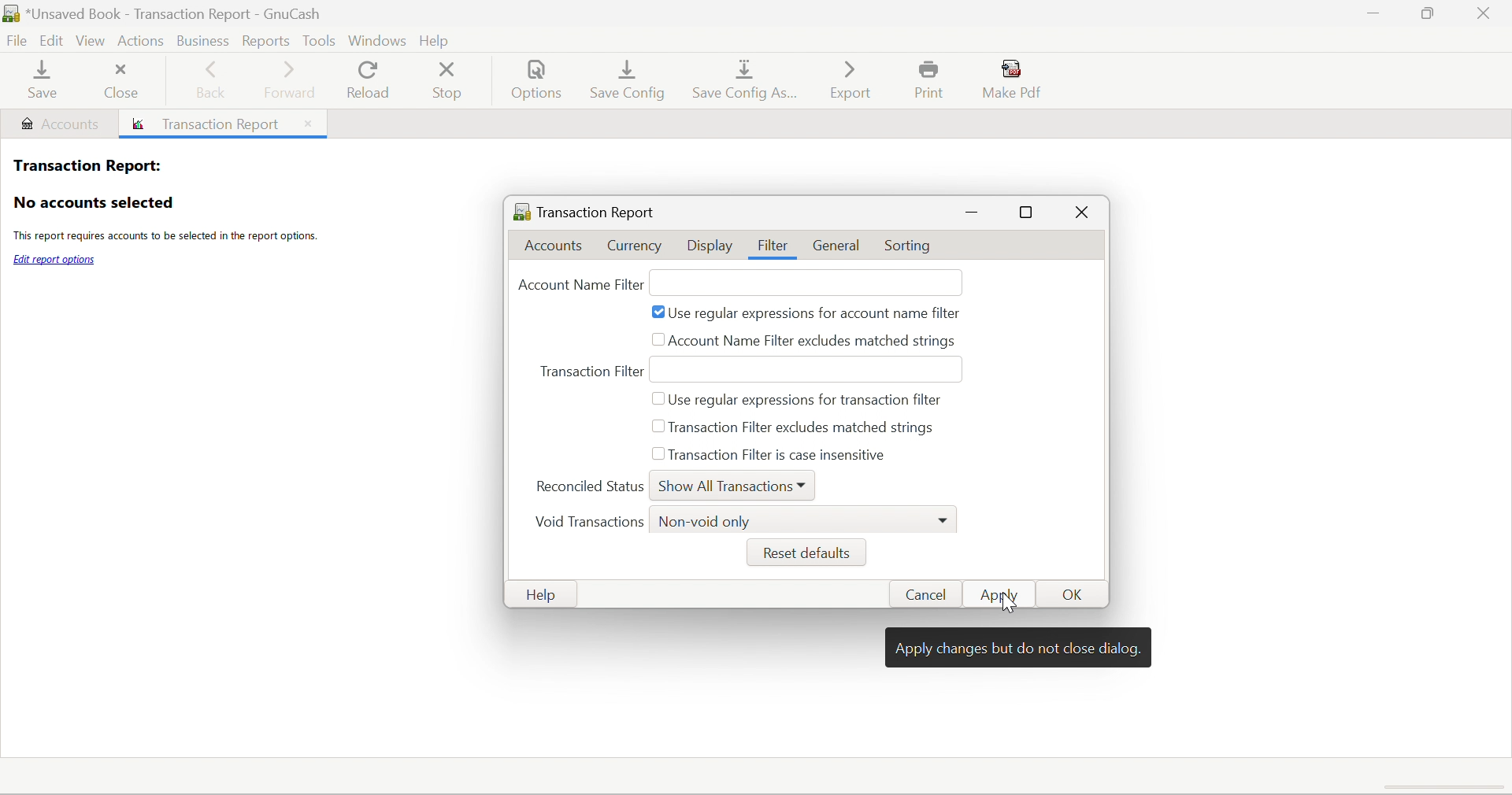 This screenshot has height=795, width=1512. I want to click on Tools, so click(318, 39).